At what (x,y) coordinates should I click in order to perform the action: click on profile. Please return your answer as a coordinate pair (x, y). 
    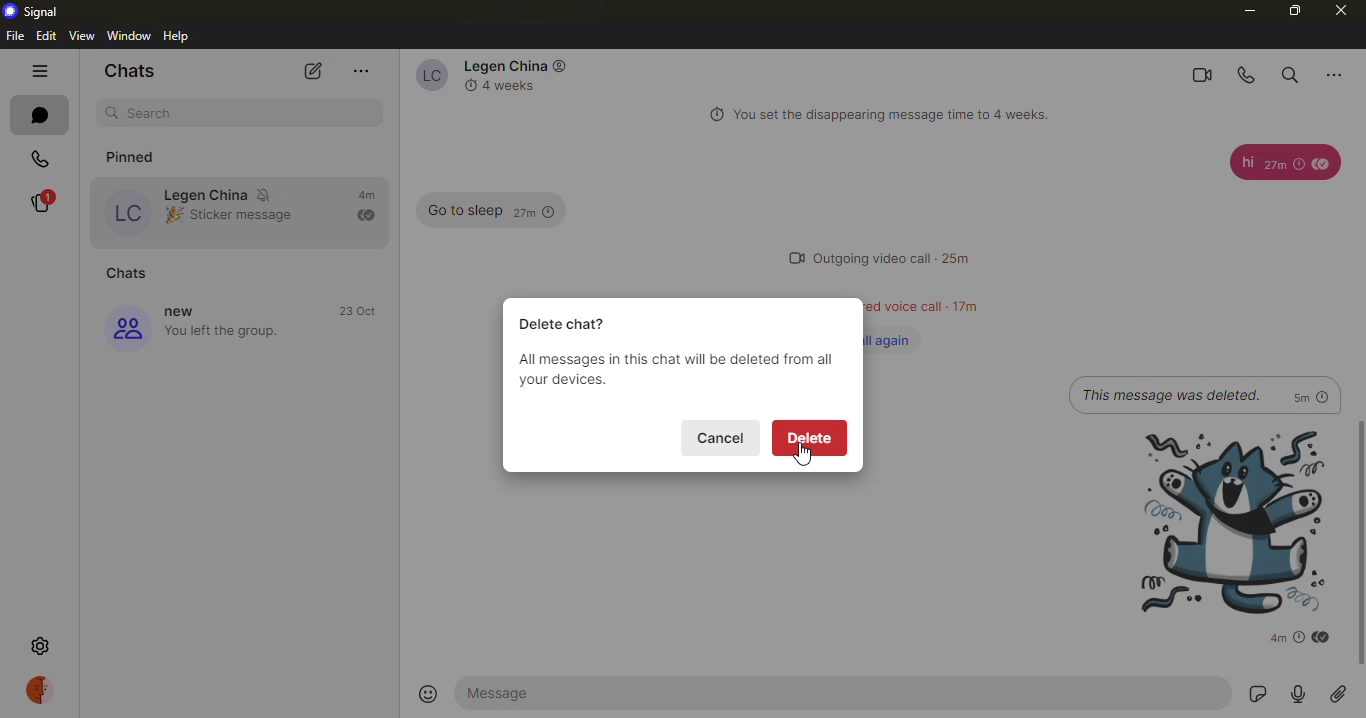
    Looking at the image, I should click on (129, 211).